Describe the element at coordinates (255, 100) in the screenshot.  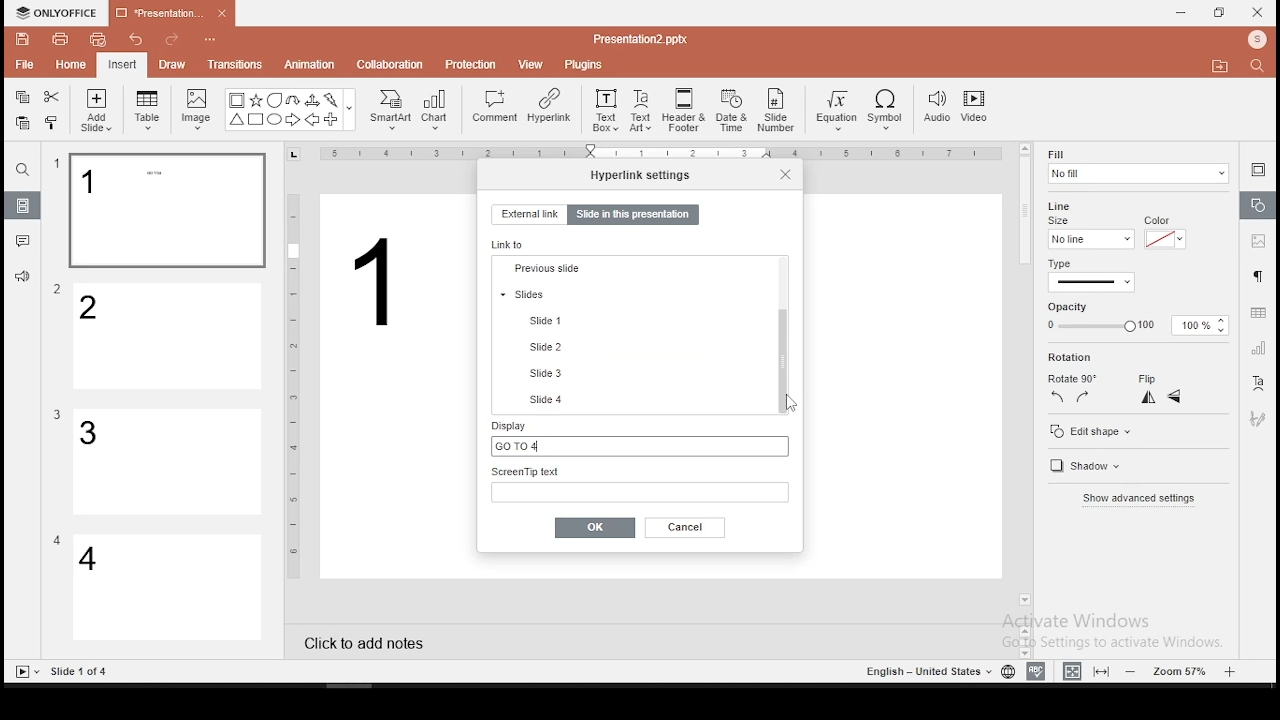
I see `Star` at that location.